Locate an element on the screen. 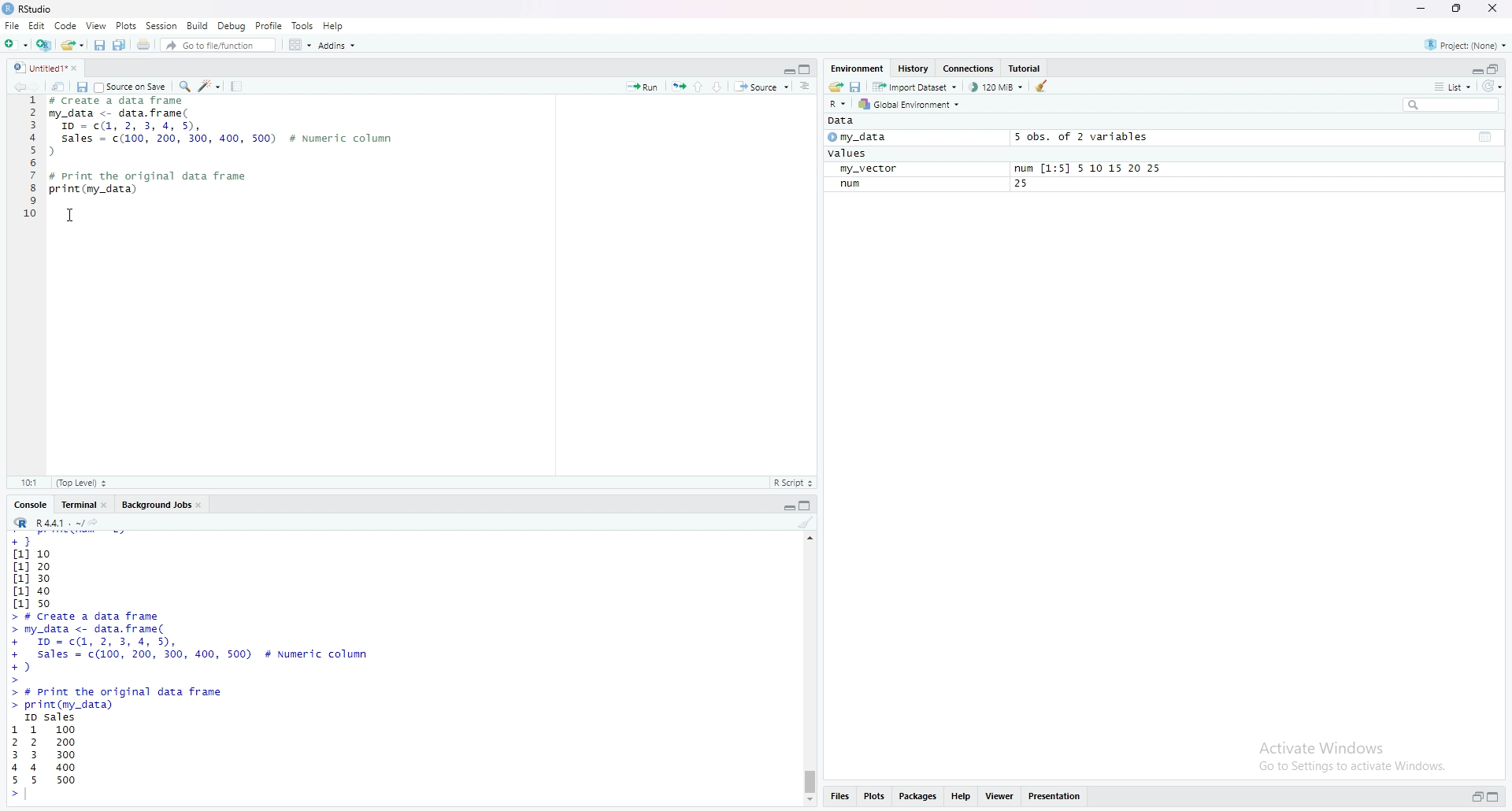  num is located at coordinates (853, 185).